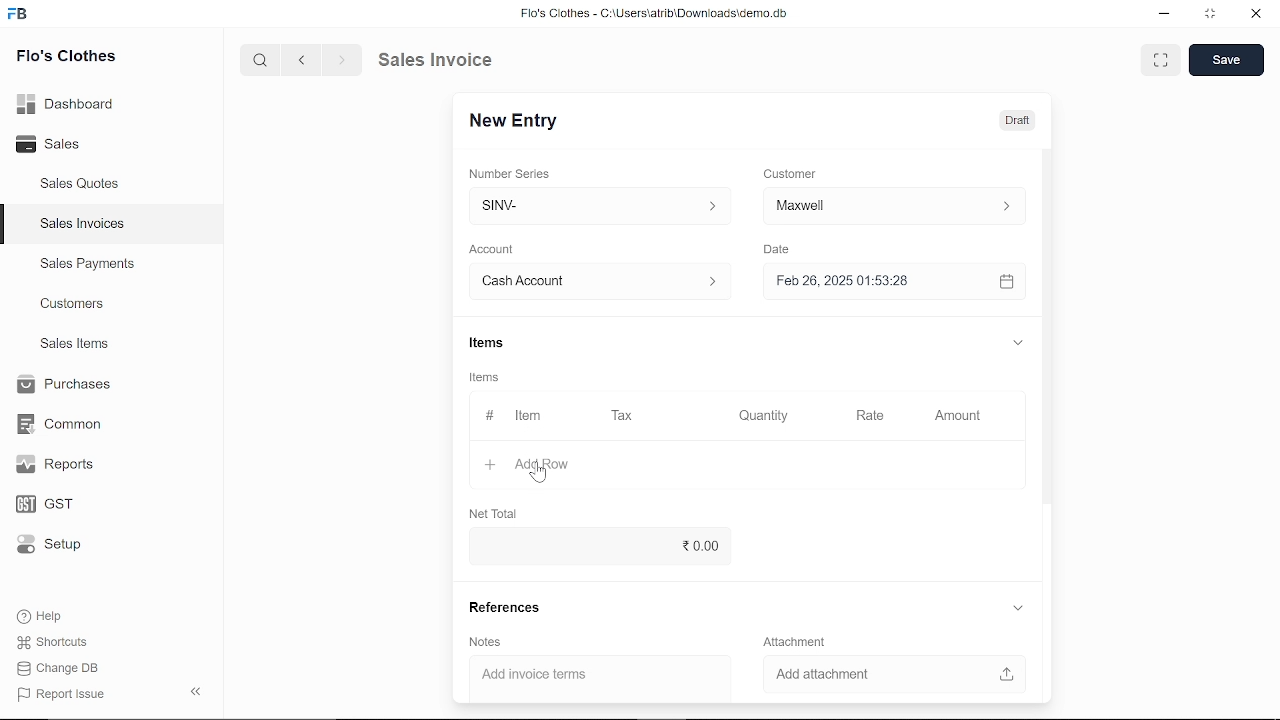 Image resolution: width=1280 pixels, height=720 pixels. Describe the element at coordinates (66, 58) in the screenshot. I see `Flo's Clothes` at that location.